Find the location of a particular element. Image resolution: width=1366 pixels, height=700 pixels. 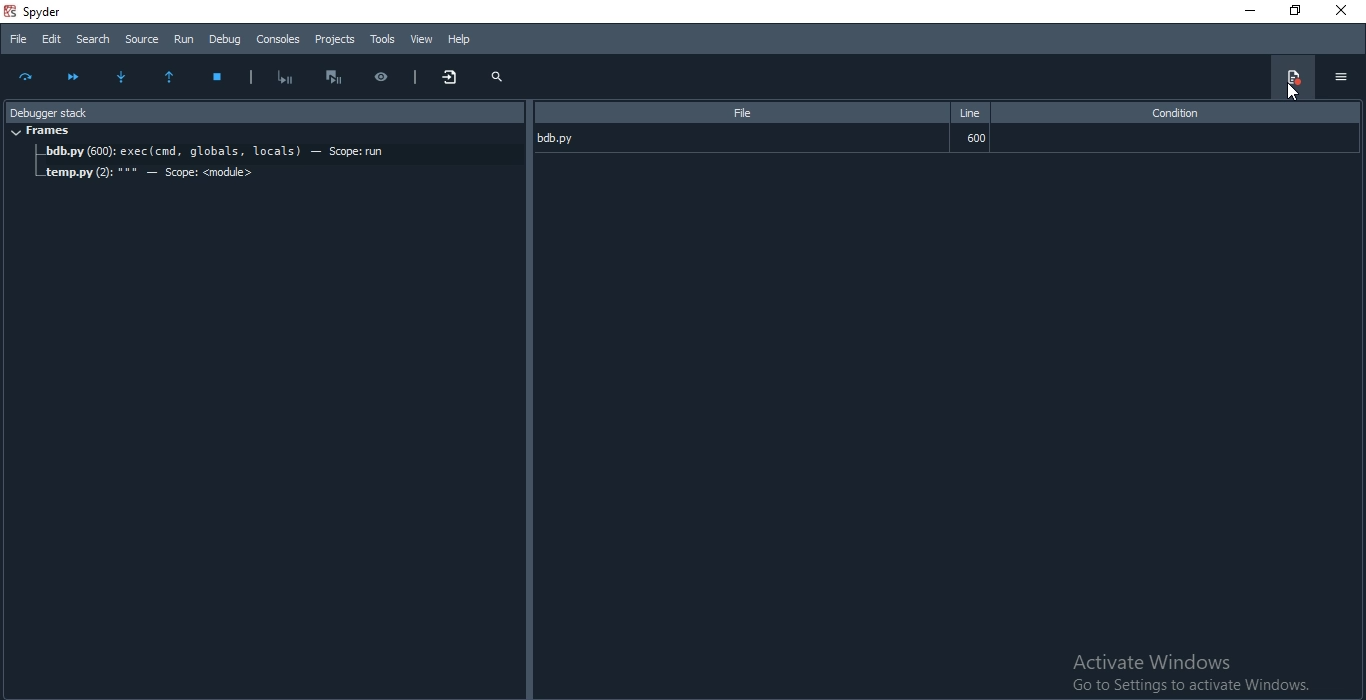

Run is located at coordinates (185, 38).